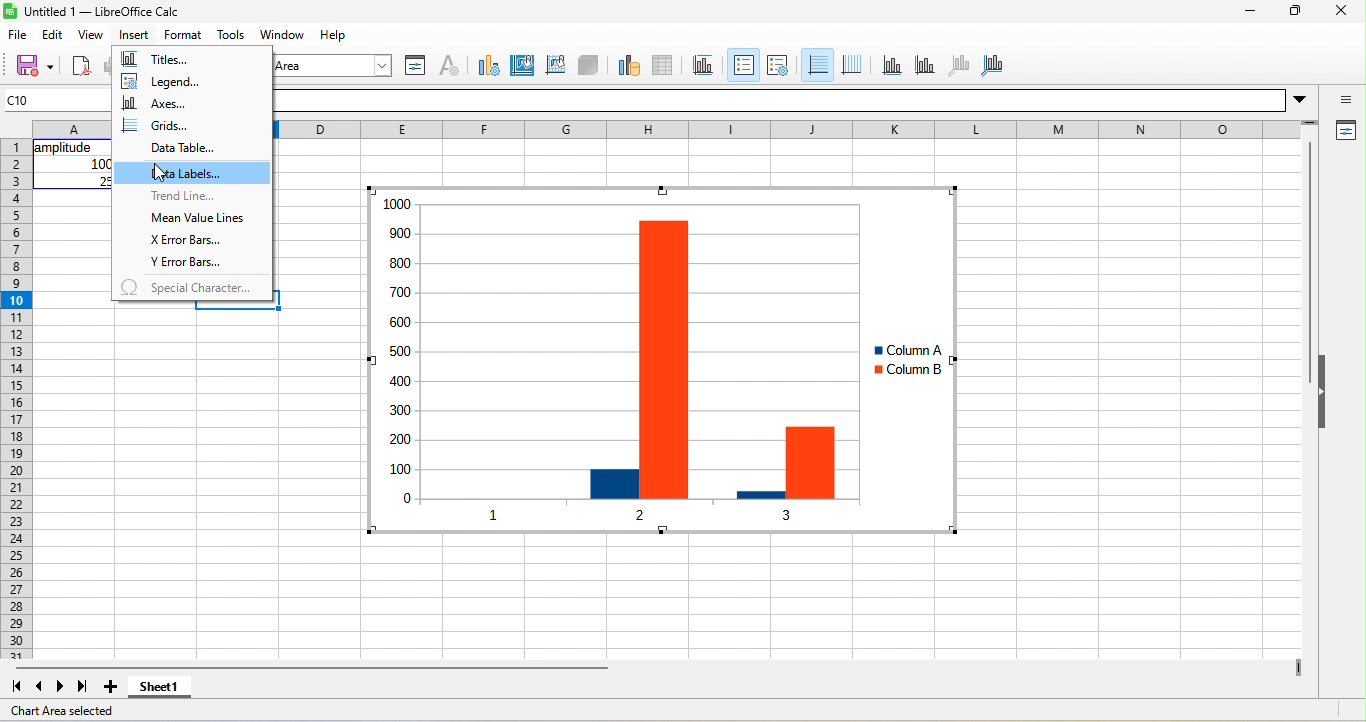 This screenshot has height=722, width=1366. Describe the element at coordinates (957, 64) in the screenshot. I see `z axis` at that location.